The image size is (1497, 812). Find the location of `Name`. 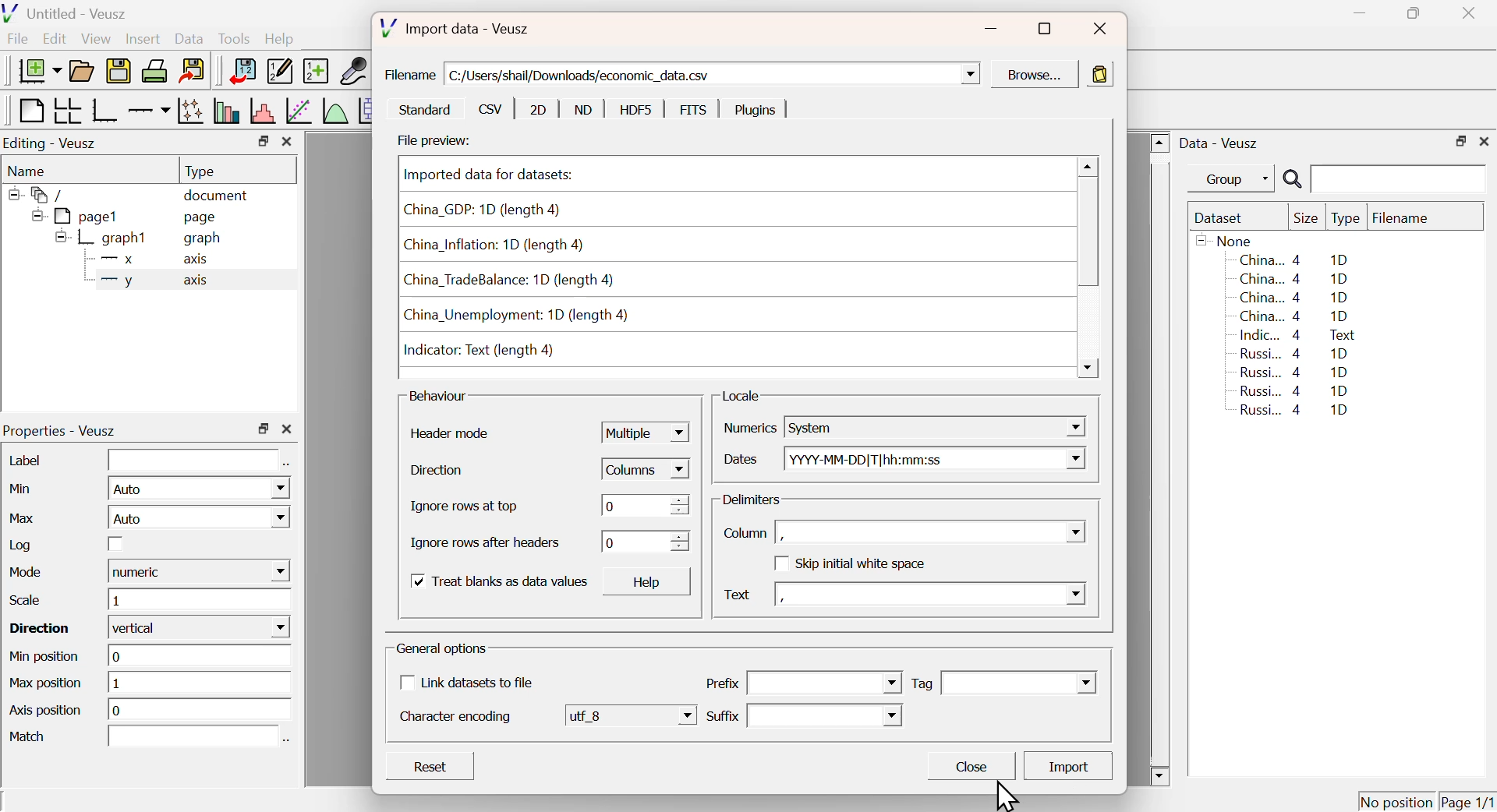

Name is located at coordinates (28, 171).